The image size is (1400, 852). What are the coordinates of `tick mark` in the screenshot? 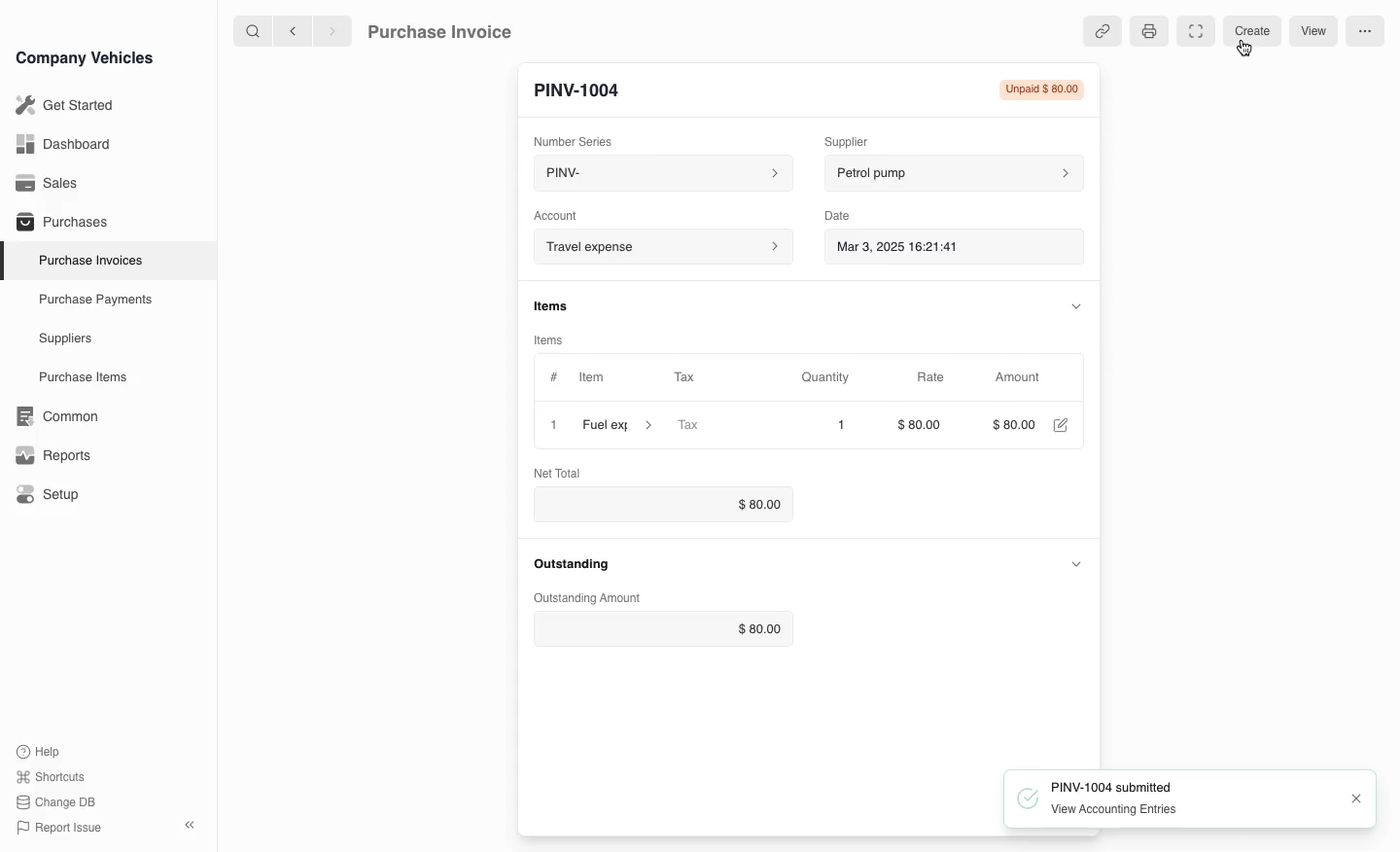 It's located at (1023, 801).